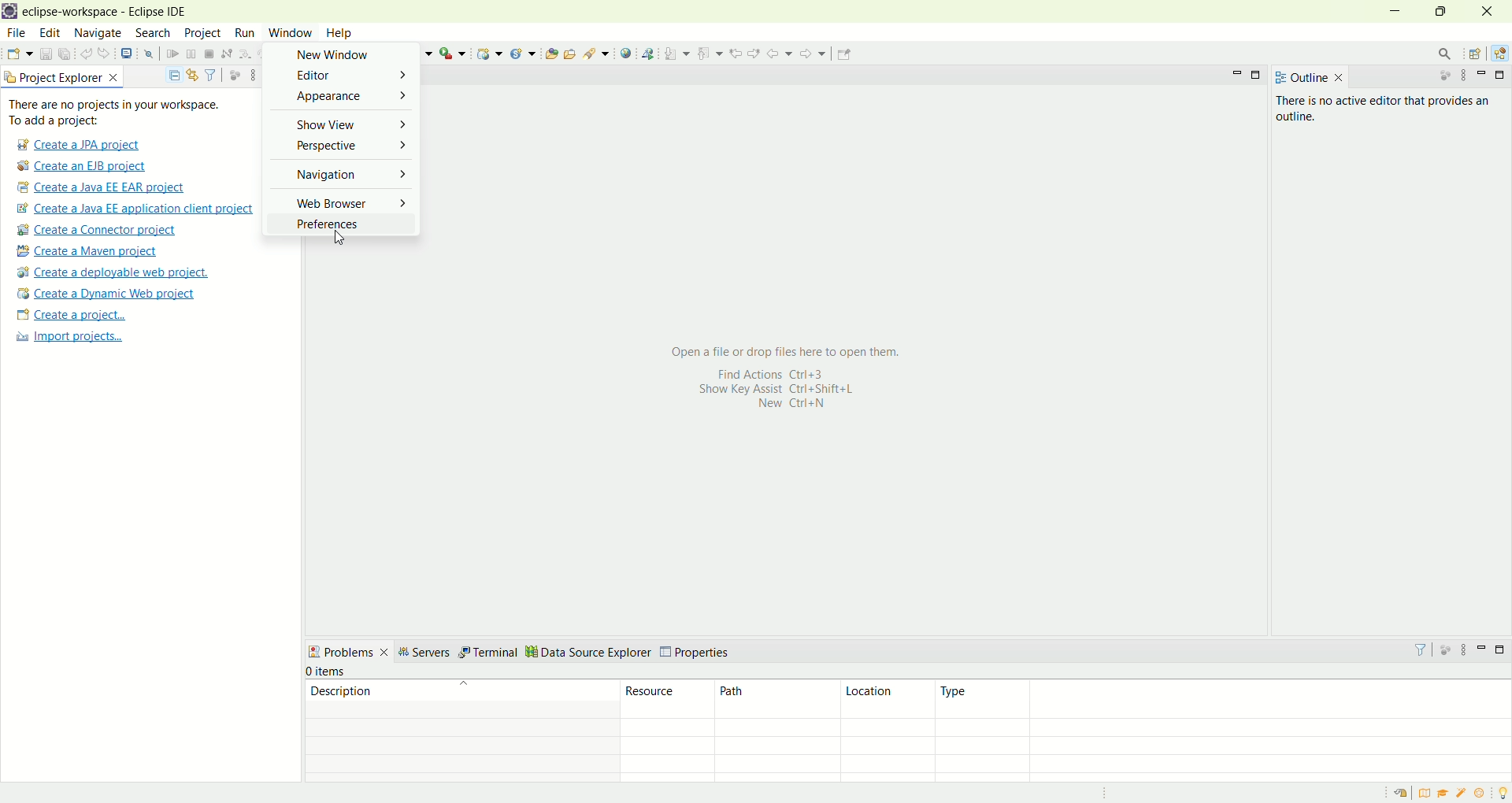  Describe the element at coordinates (1484, 75) in the screenshot. I see `minimize` at that location.